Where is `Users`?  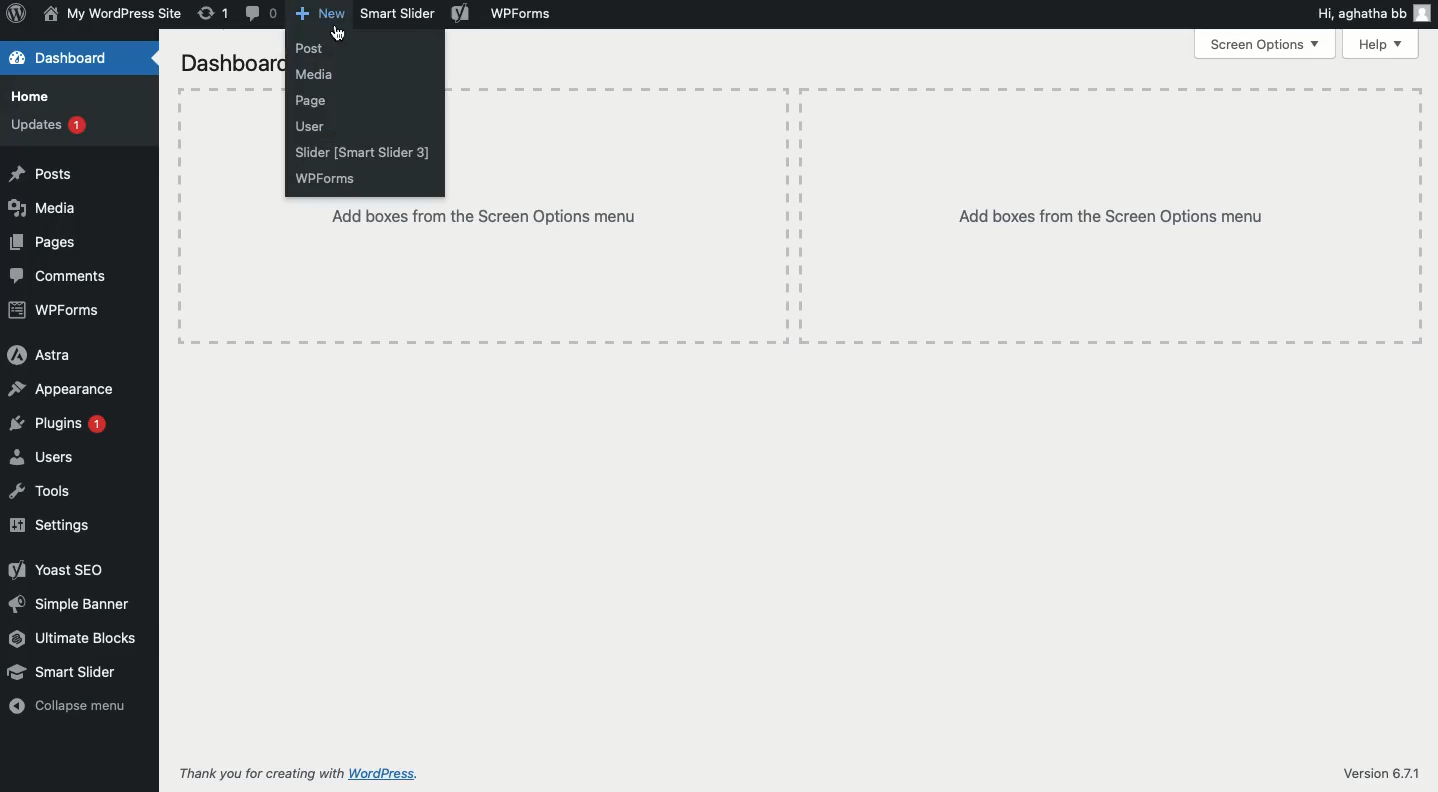
Users is located at coordinates (42, 457).